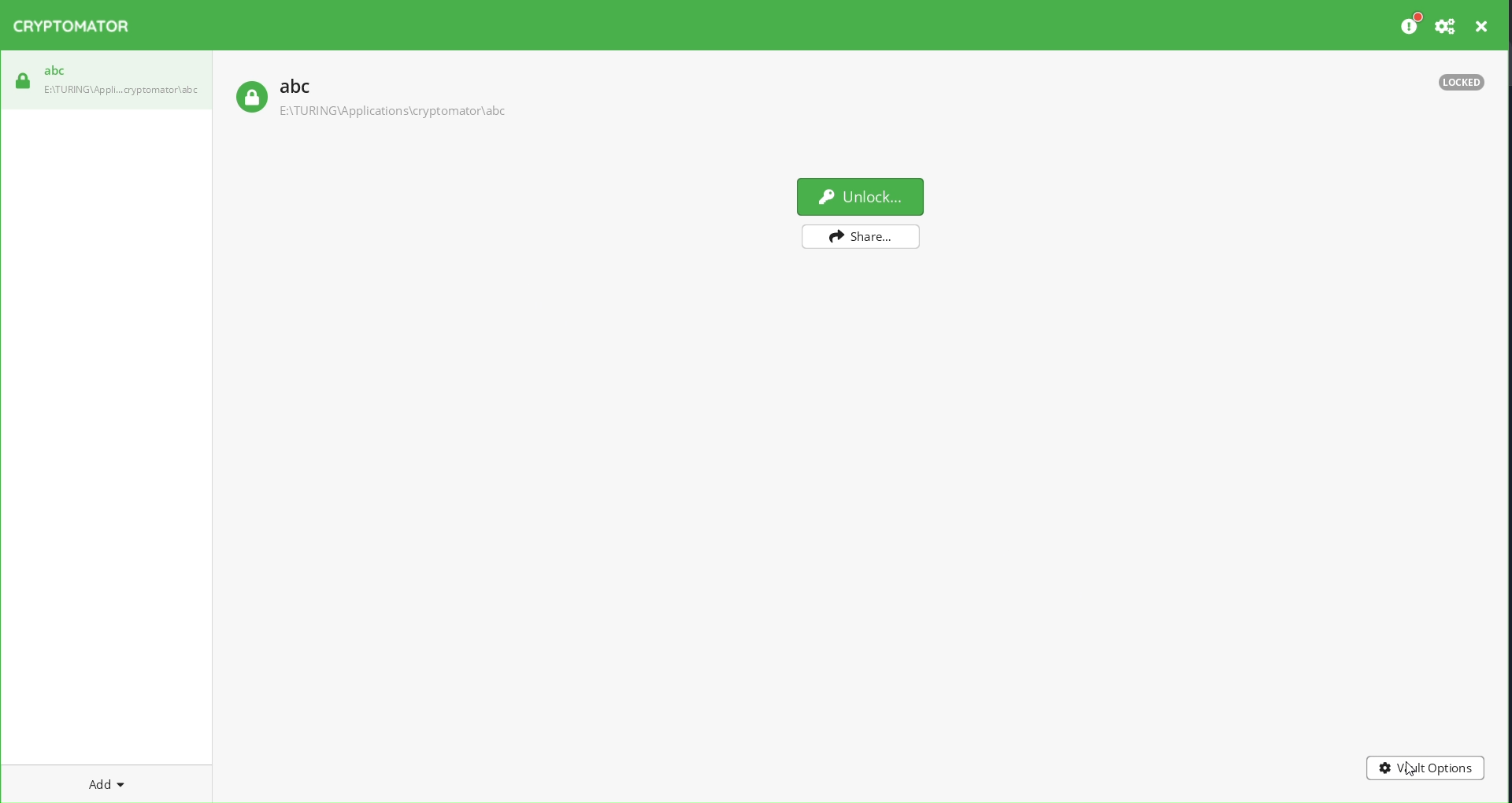  Describe the element at coordinates (860, 194) in the screenshot. I see `unlock` at that location.